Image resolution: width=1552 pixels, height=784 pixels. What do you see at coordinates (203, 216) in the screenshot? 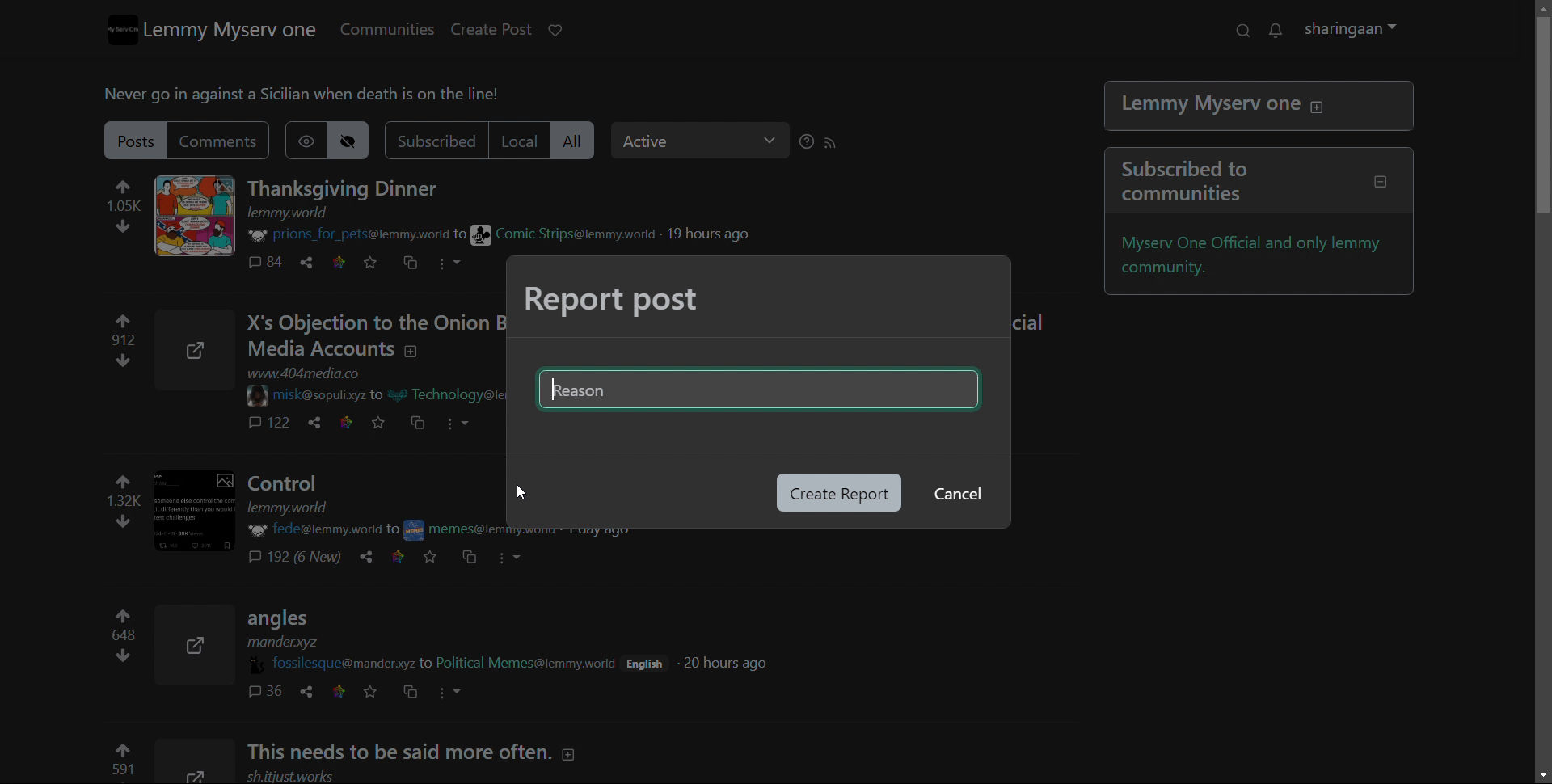
I see `expand here with the image` at bounding box center [203, 216].